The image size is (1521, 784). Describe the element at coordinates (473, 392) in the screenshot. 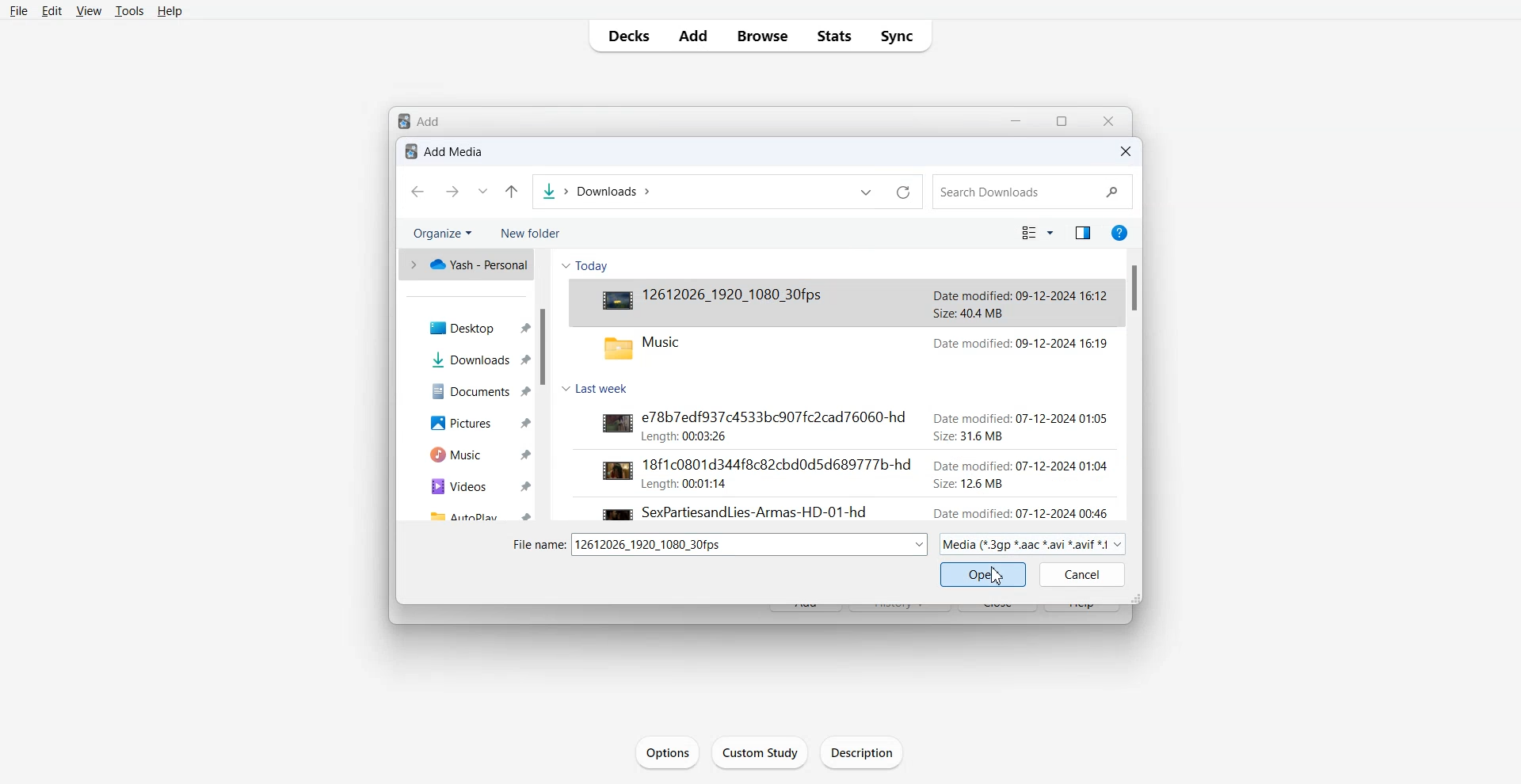

I see `Documents` at that location.